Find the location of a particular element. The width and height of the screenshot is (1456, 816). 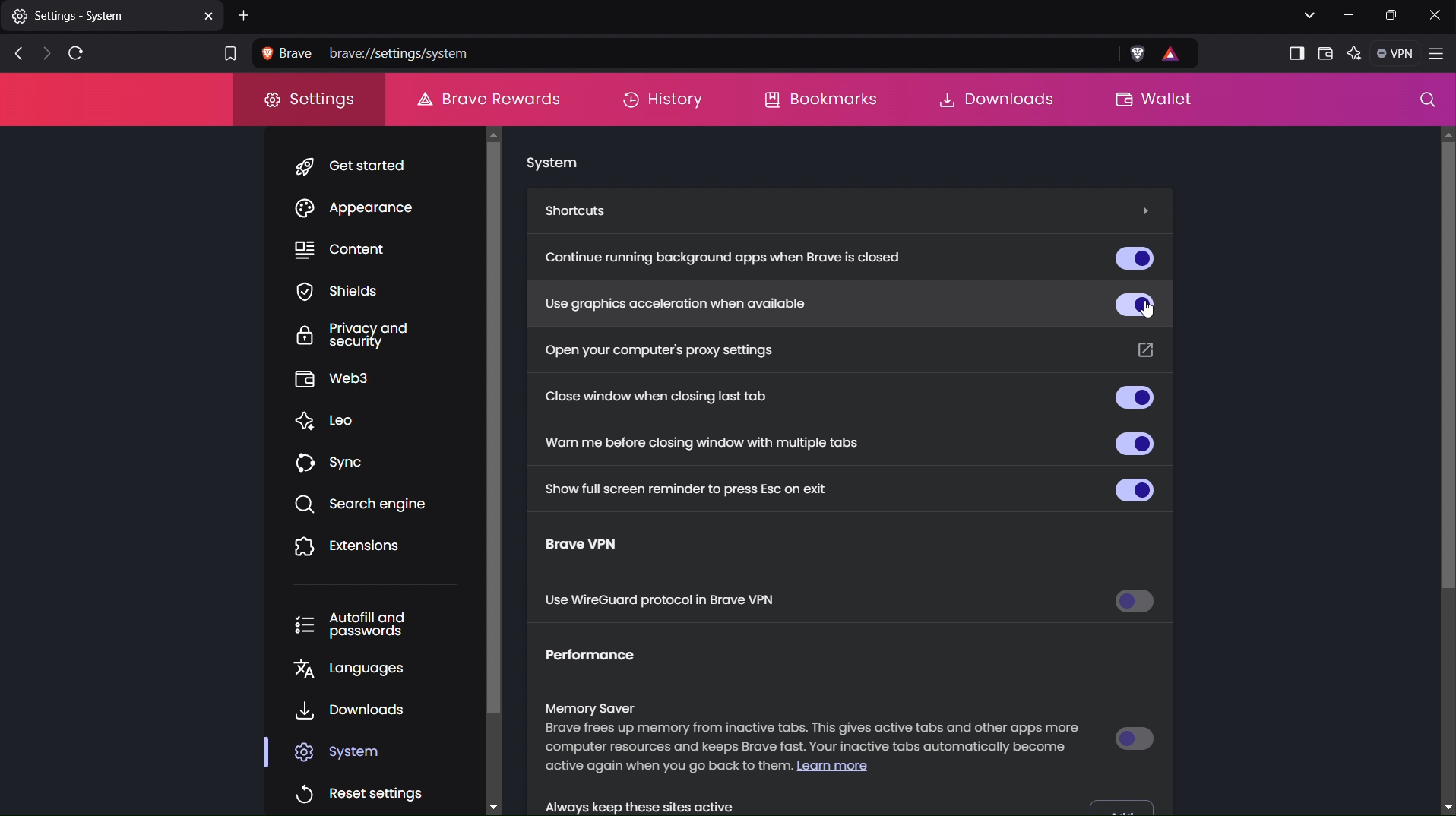

Extensions is located at coordinates (350, 547).